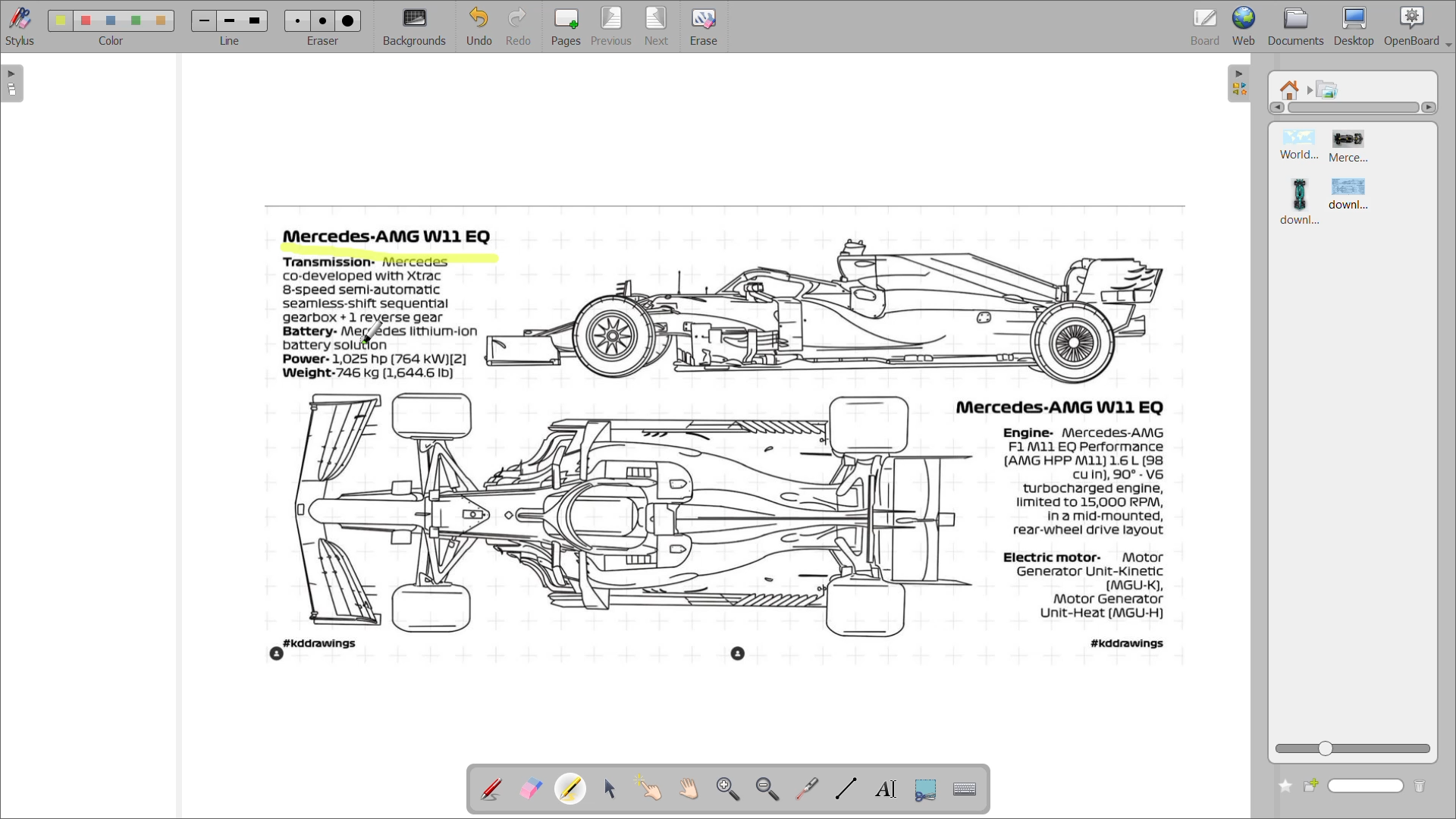 The height and width of the screenshot is (819, 1456). What do you see at coordinates (1358, 27) in the screenshot?
I see `desktop` at bounding box center [1358, 27].